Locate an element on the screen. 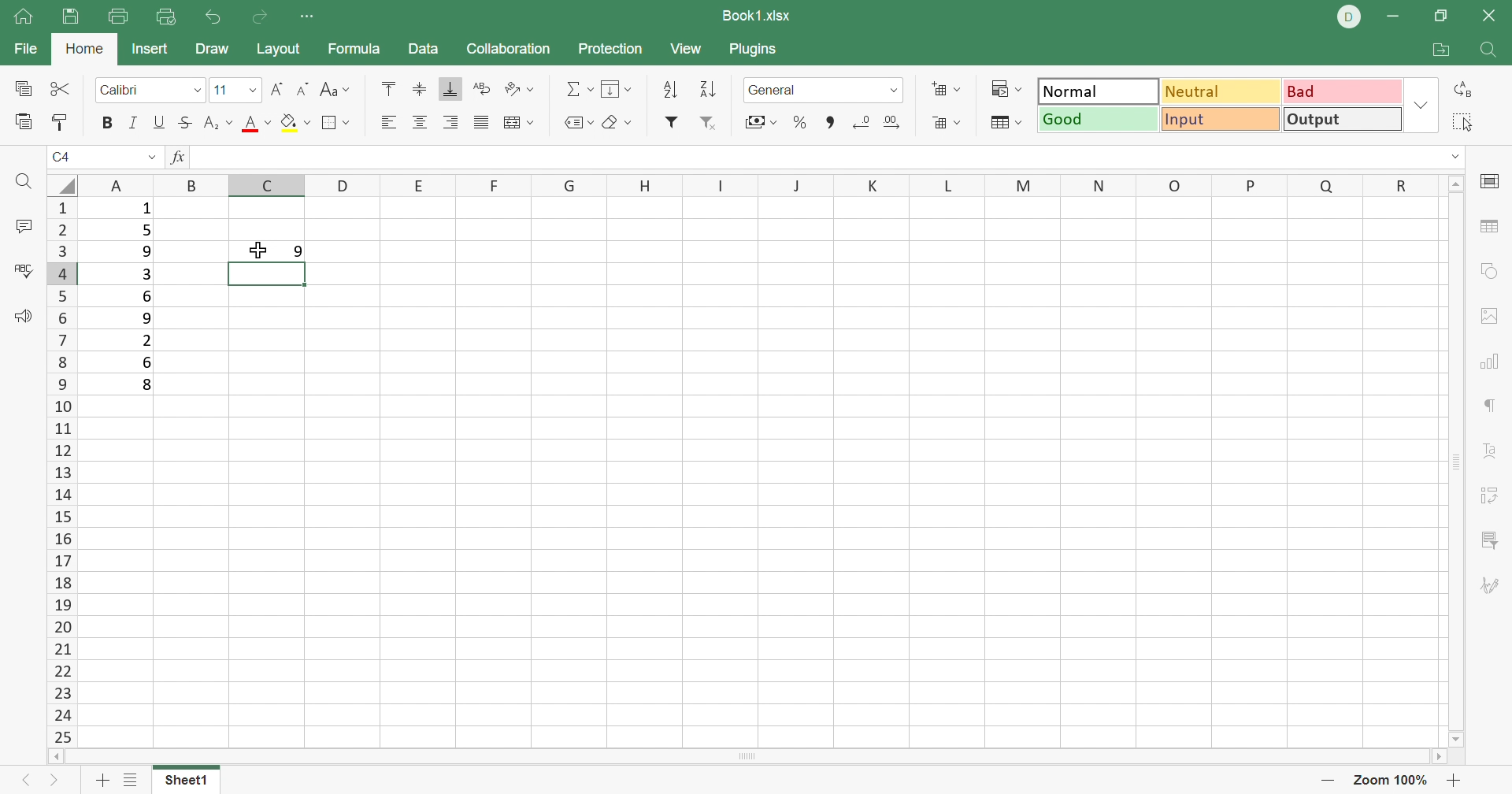 The height and width of the screenshot is (794, 1512). fx is located at coordinates (176, 158).